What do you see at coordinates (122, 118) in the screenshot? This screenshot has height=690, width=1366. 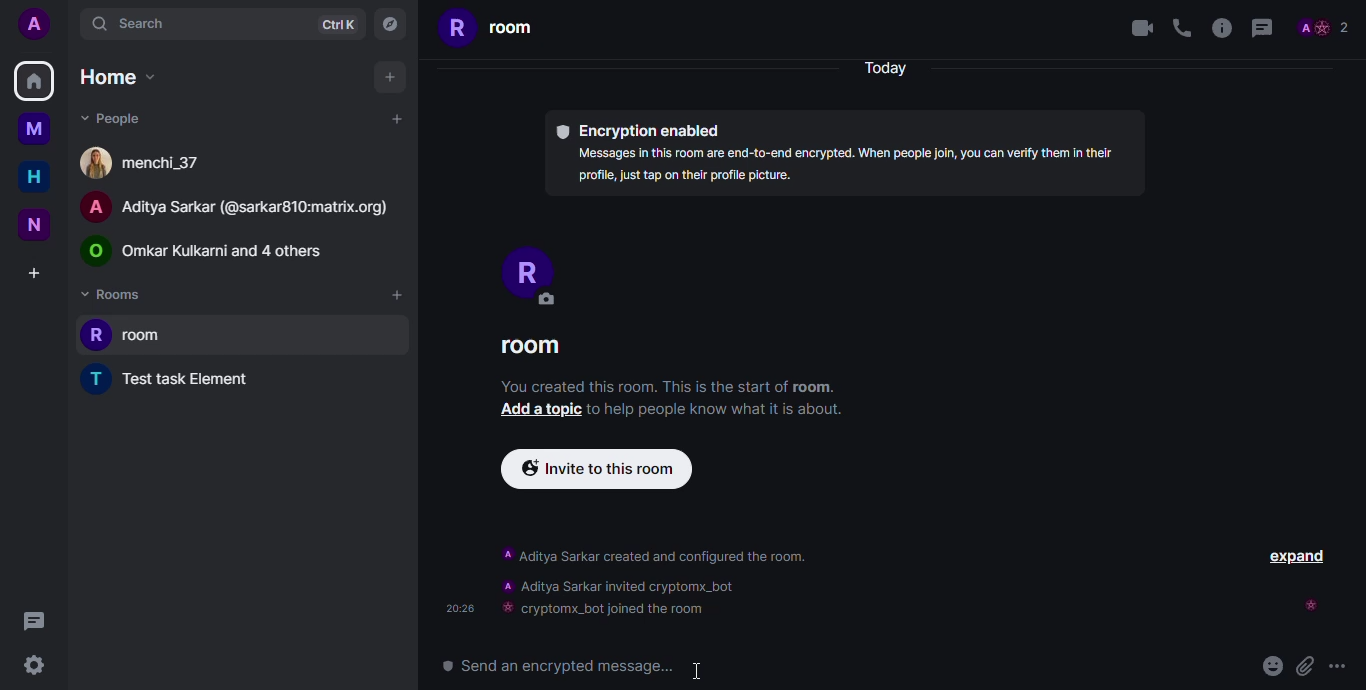 I see `people` at bounding box center [122, 118].